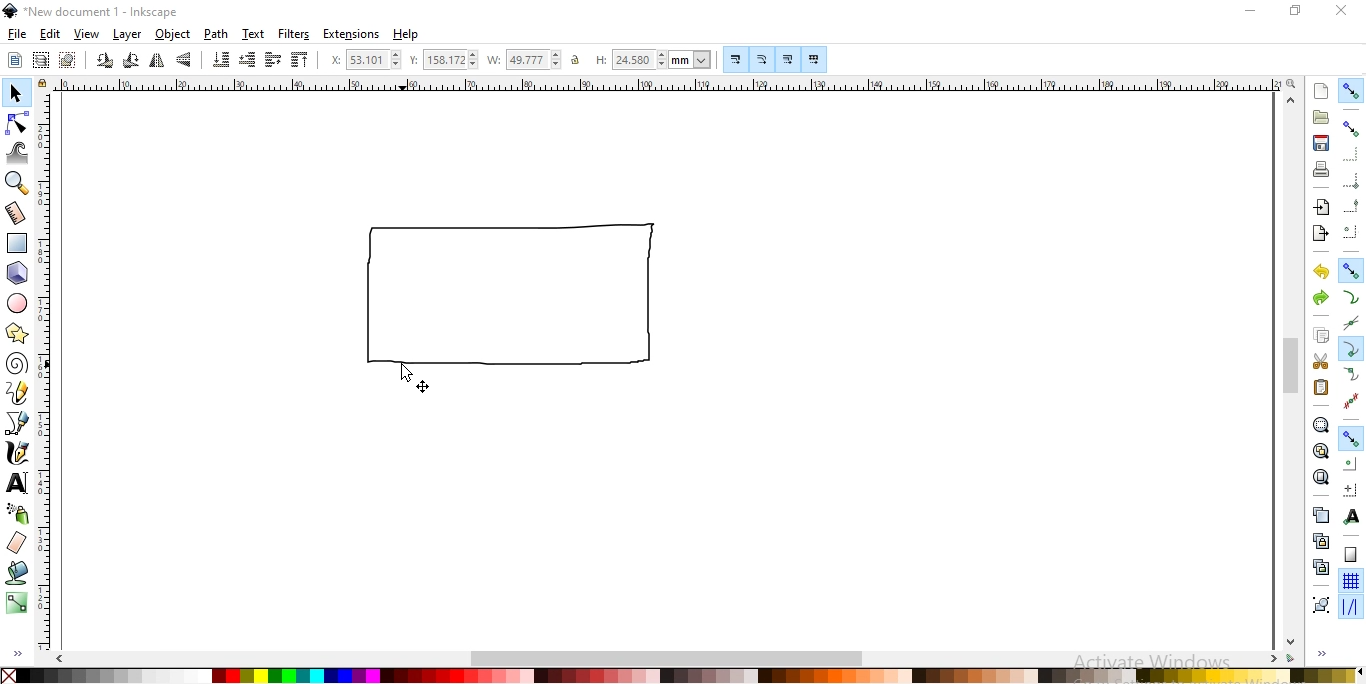 The width and height of the screenshot is (1366, 684). I want to click on snap an item's rotation center, so click(1350, 489).